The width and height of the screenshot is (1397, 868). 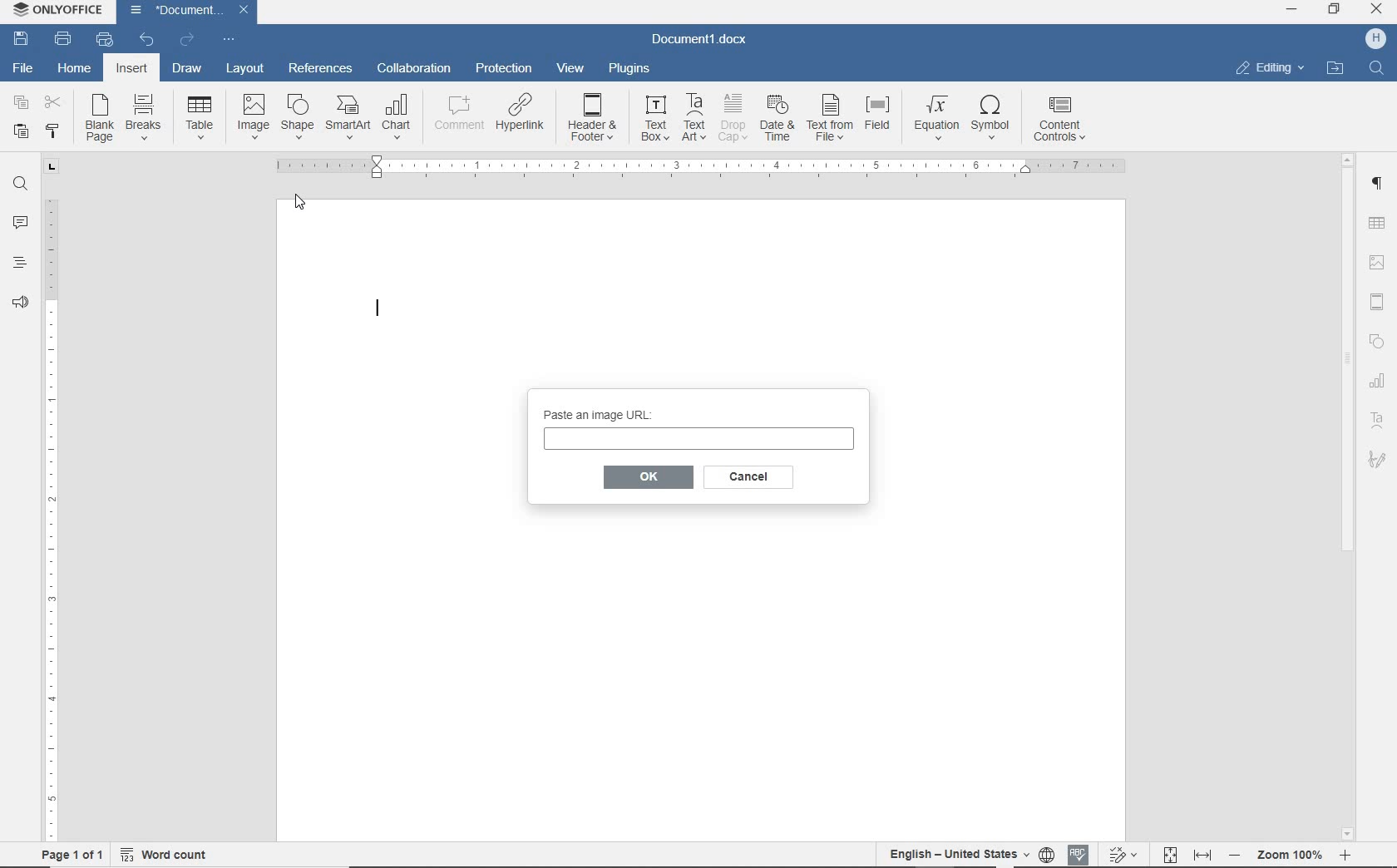 What do you see at coordinates (1171, 854) in the screenshot?
I see `fit to page` at bounding box center [1171, 854].